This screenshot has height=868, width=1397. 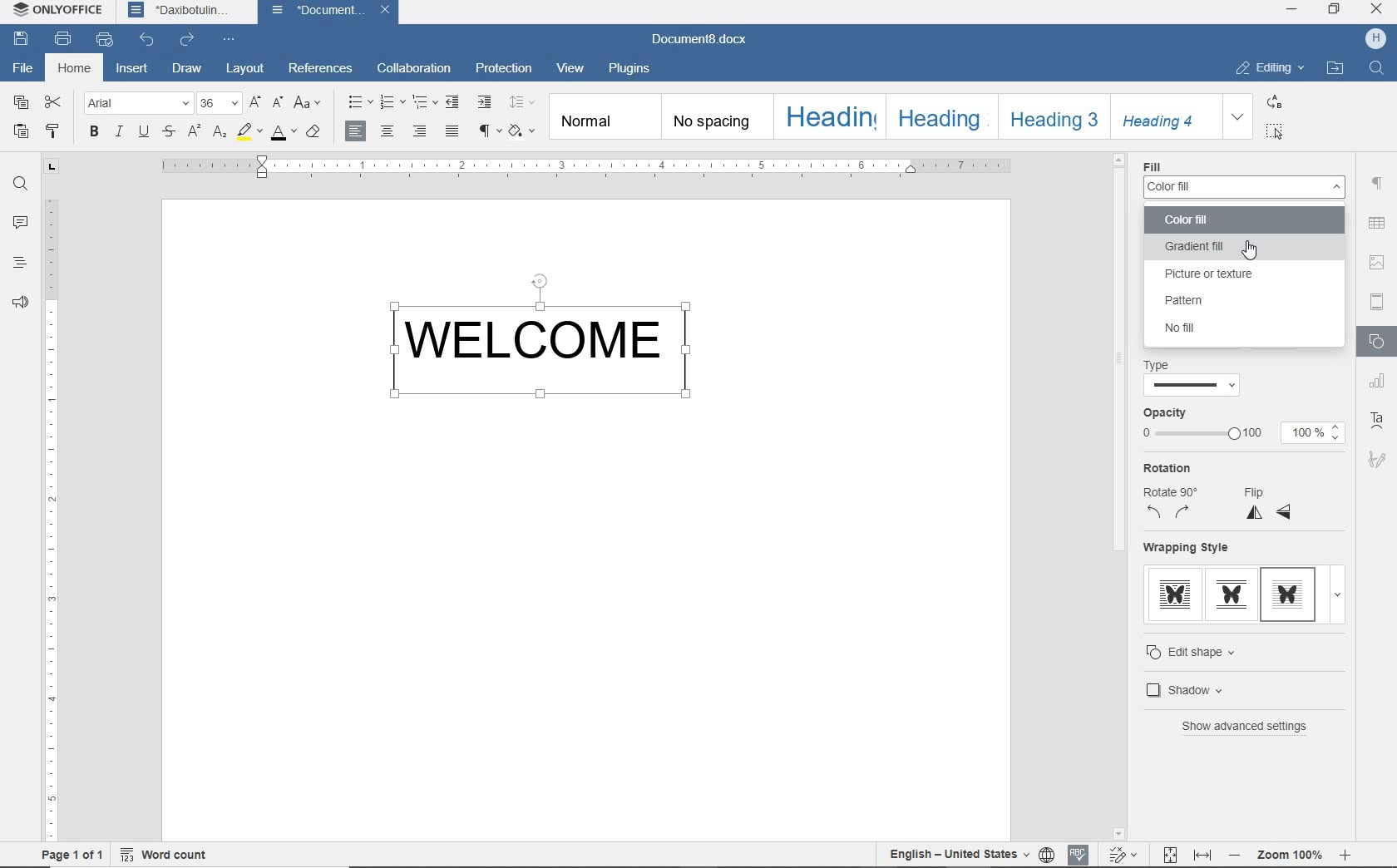 What do you see at coordinates (1048, 856) in the screenshot?
I see `SET DOCUMENT LANGUAGE` at bounding box center [1048, 856].